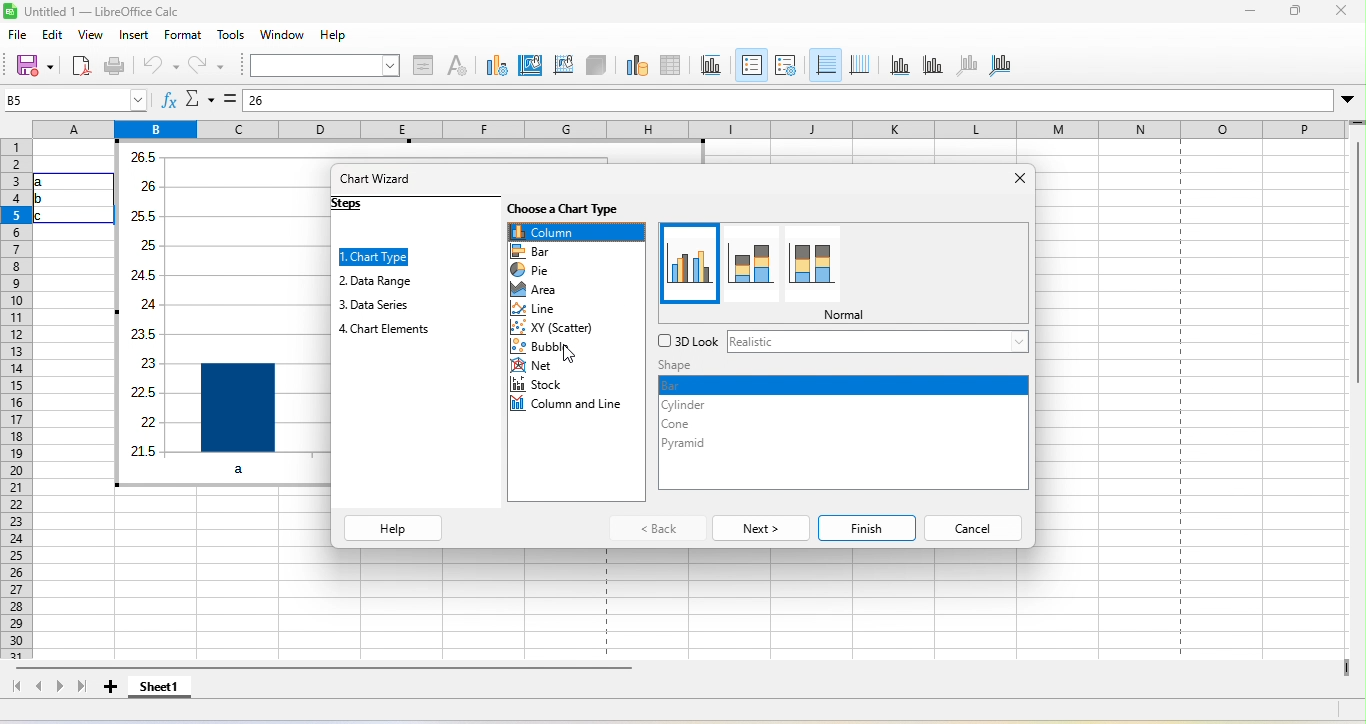 Image resolution: width=1366 pixels, height=724 pixels. What do you see at coordinates (380, 256) in the screenshot?
I see `chart type` at bounding box center [380, 256].